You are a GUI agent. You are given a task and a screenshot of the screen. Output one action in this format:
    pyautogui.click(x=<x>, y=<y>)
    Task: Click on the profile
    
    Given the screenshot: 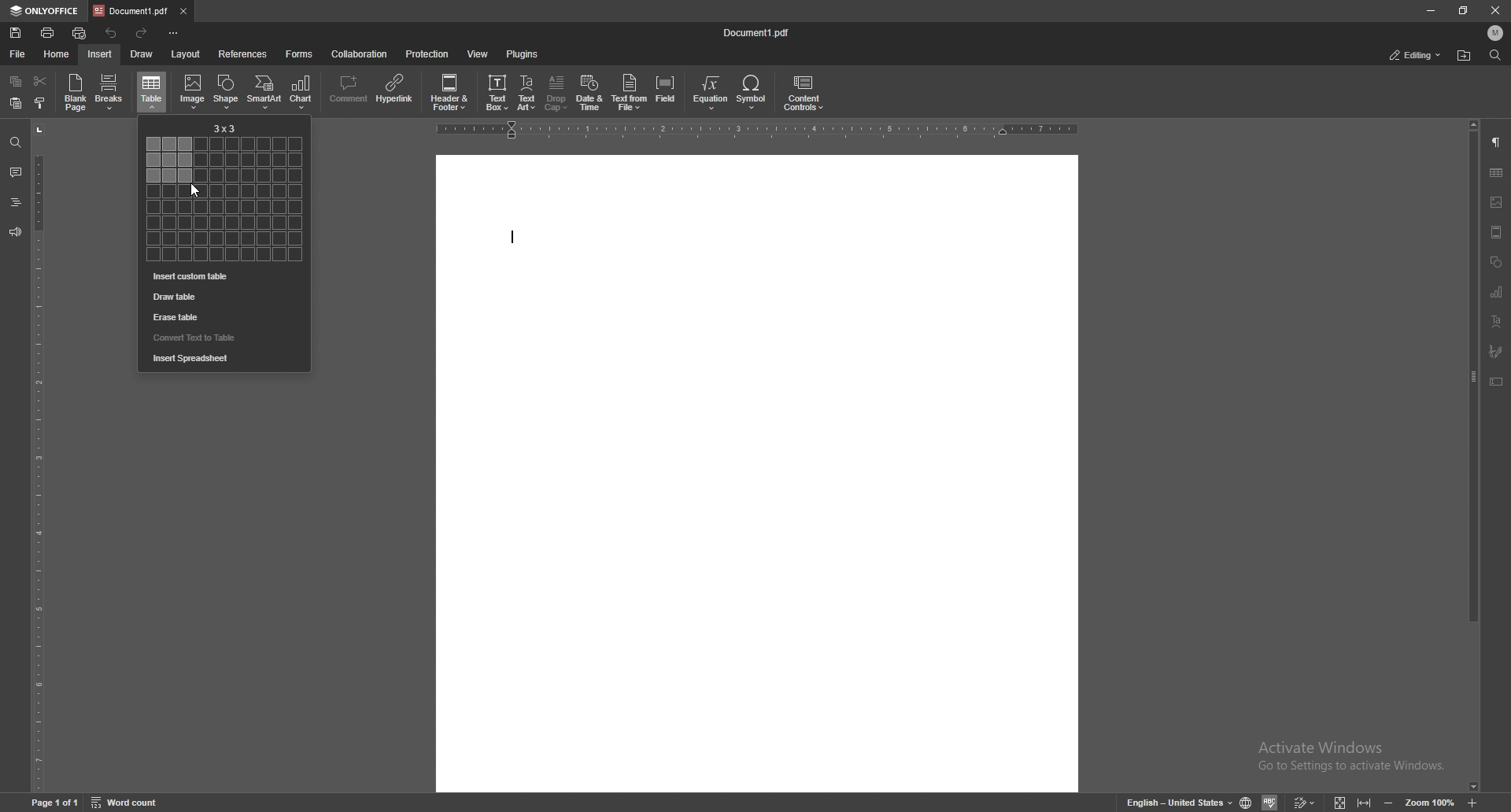 What is the action you would take?
    pyautogui.click(x=1497, y=32)
    